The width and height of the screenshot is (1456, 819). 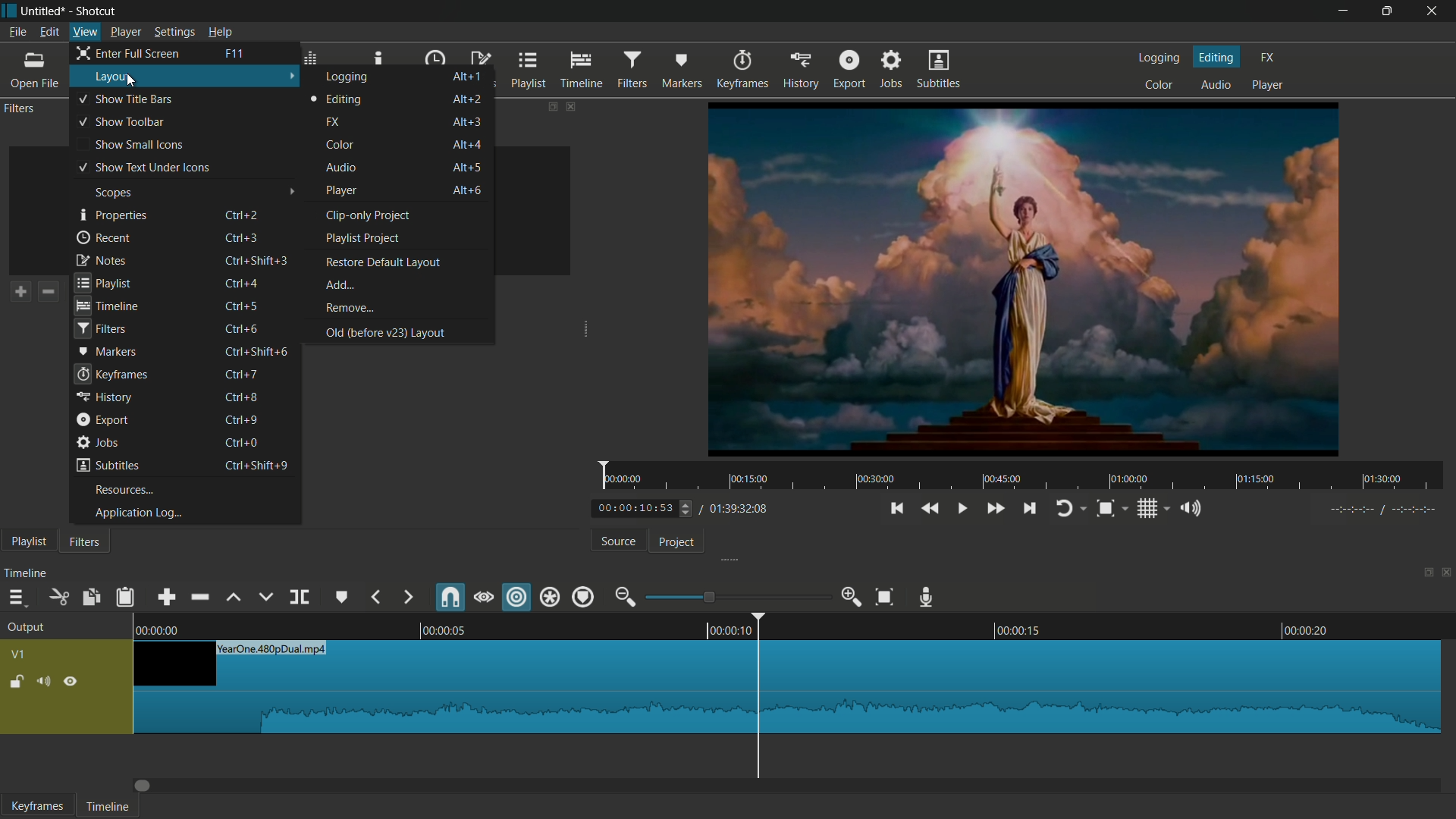 What do you see at coordinates (133, 513) in the screenshot?
I see `application log` at bounding box center [133, 513].